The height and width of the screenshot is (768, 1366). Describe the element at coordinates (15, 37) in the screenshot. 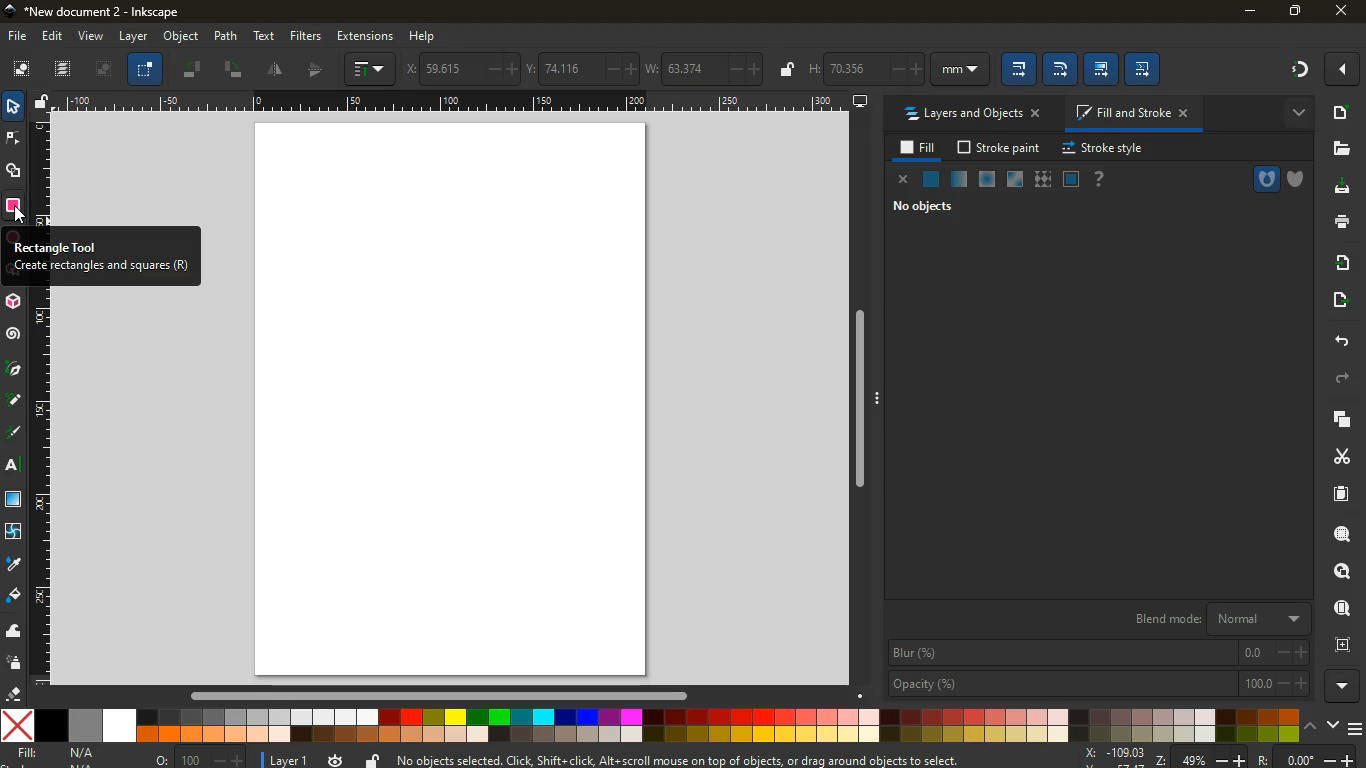

I see `file` at that location.